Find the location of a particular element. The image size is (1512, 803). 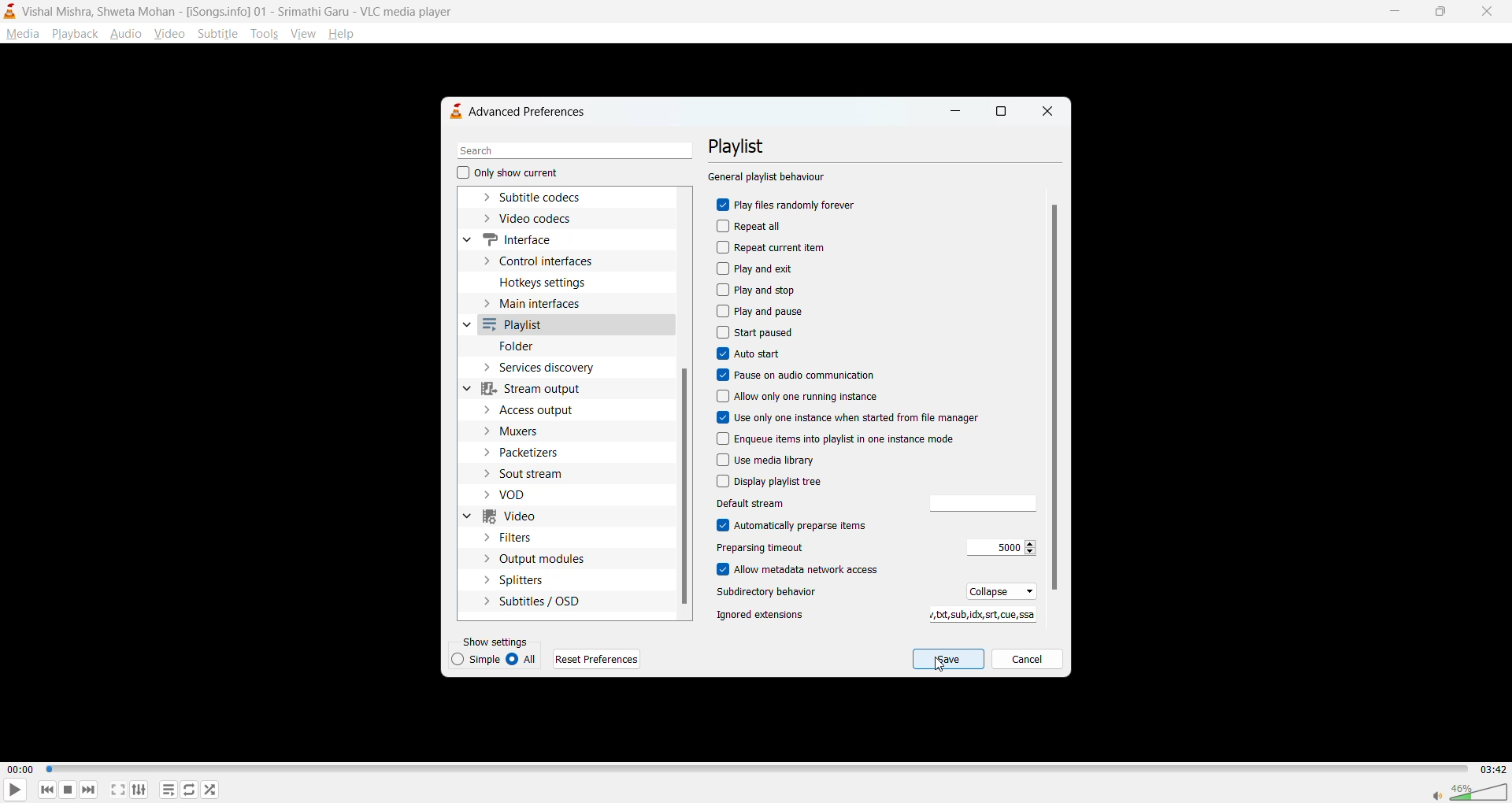

preparsing timeout is located at coordinates (777, 549).